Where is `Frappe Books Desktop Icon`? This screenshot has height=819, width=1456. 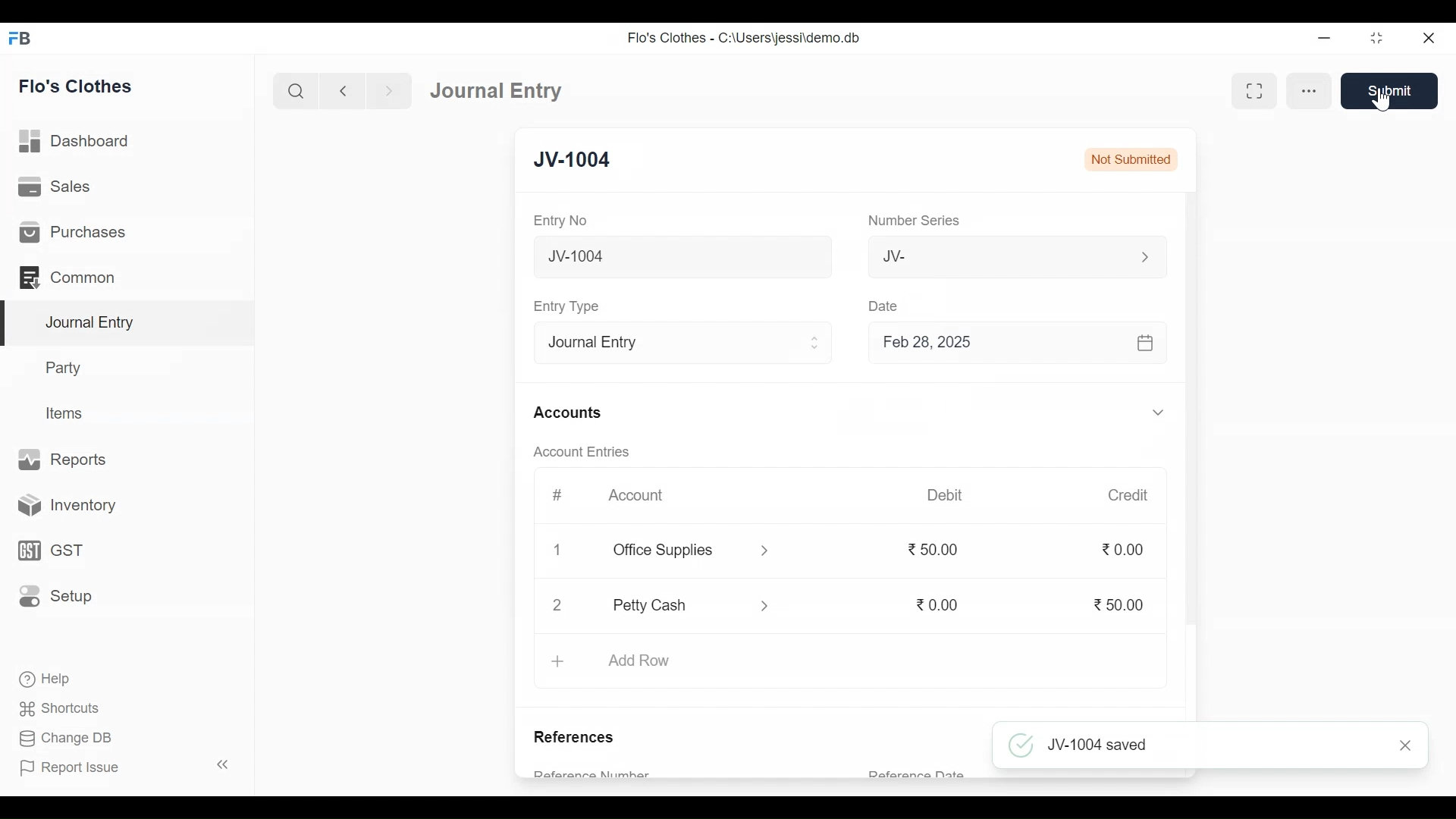 Frappe Books Desktop Icon is located at coordinates (20, 39).